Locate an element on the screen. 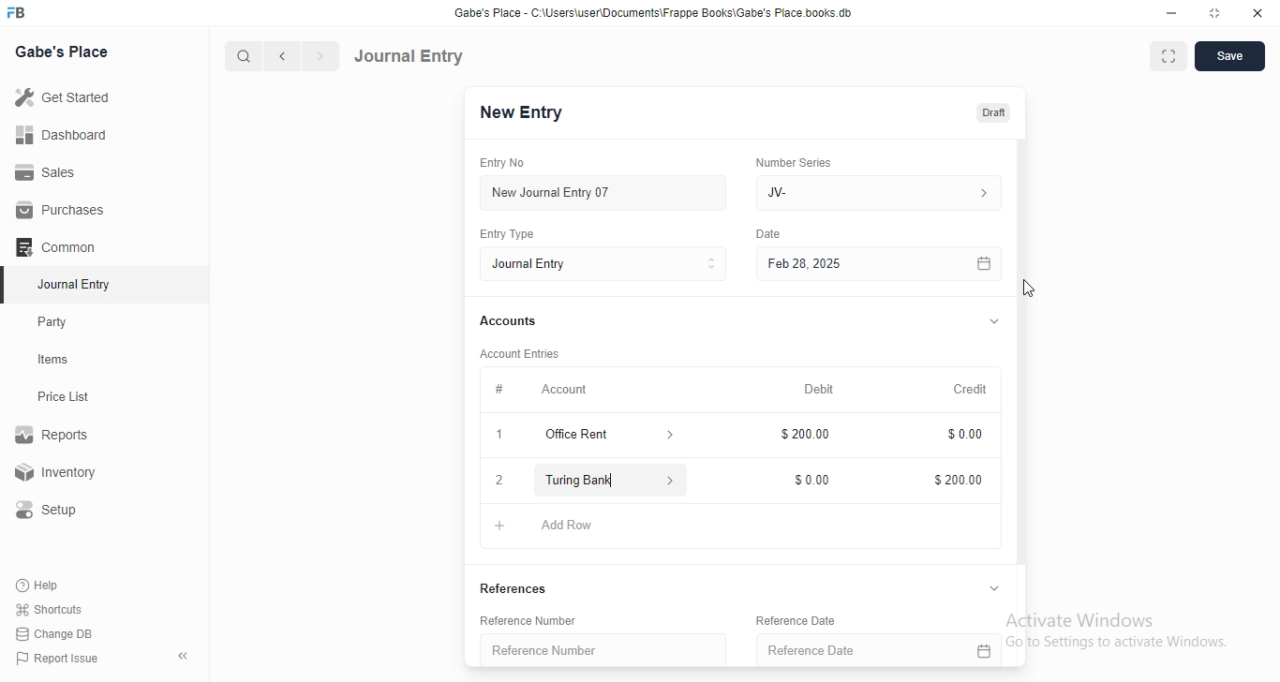  Reference number is located at coordinates (545, 651).